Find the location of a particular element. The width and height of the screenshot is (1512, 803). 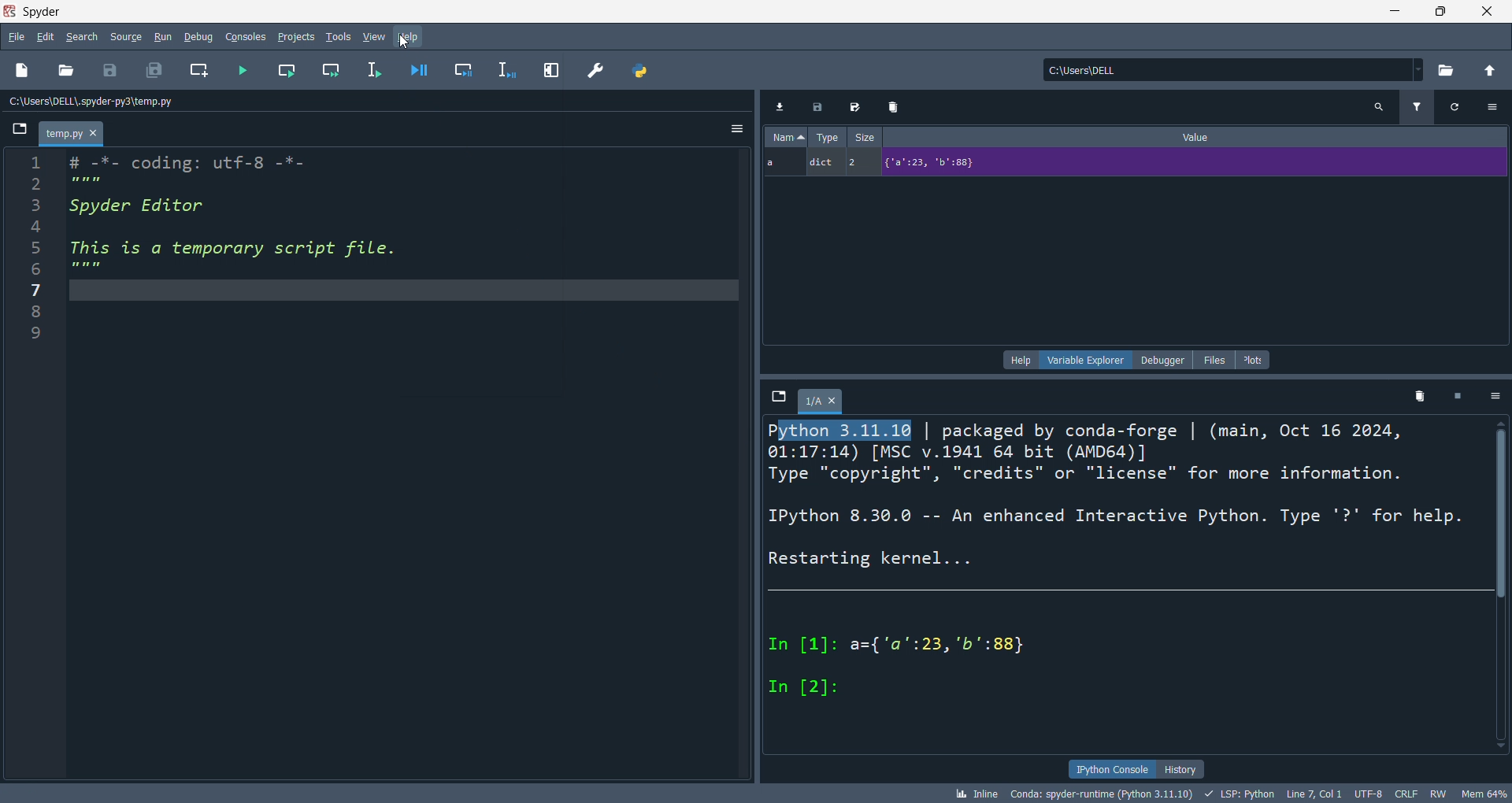

projects is located at coordinates (295, 37).